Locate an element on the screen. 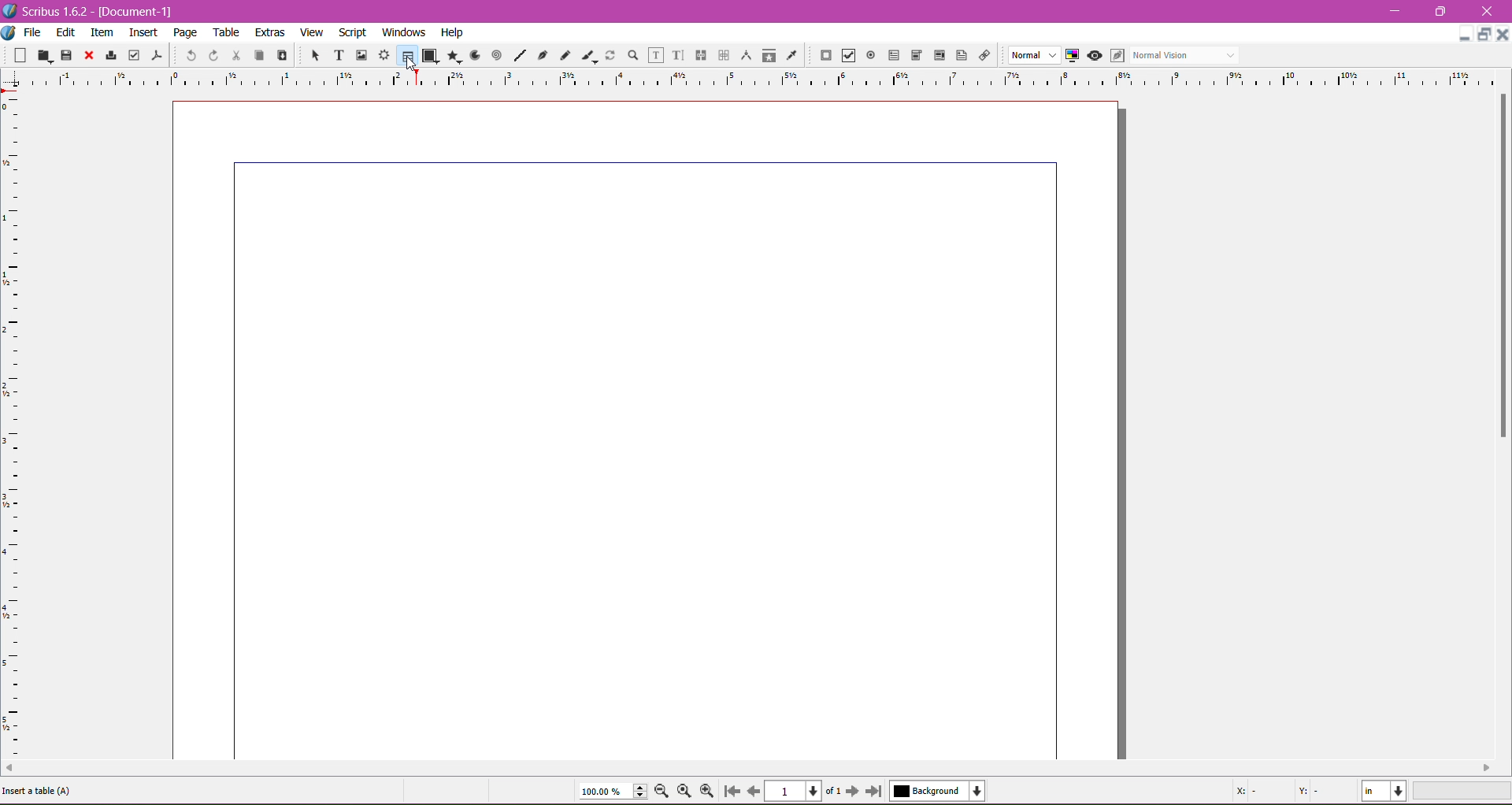 The height and width of the screenshot is (805, 1512). Bezier Curve is located at coordinates (541, 54).